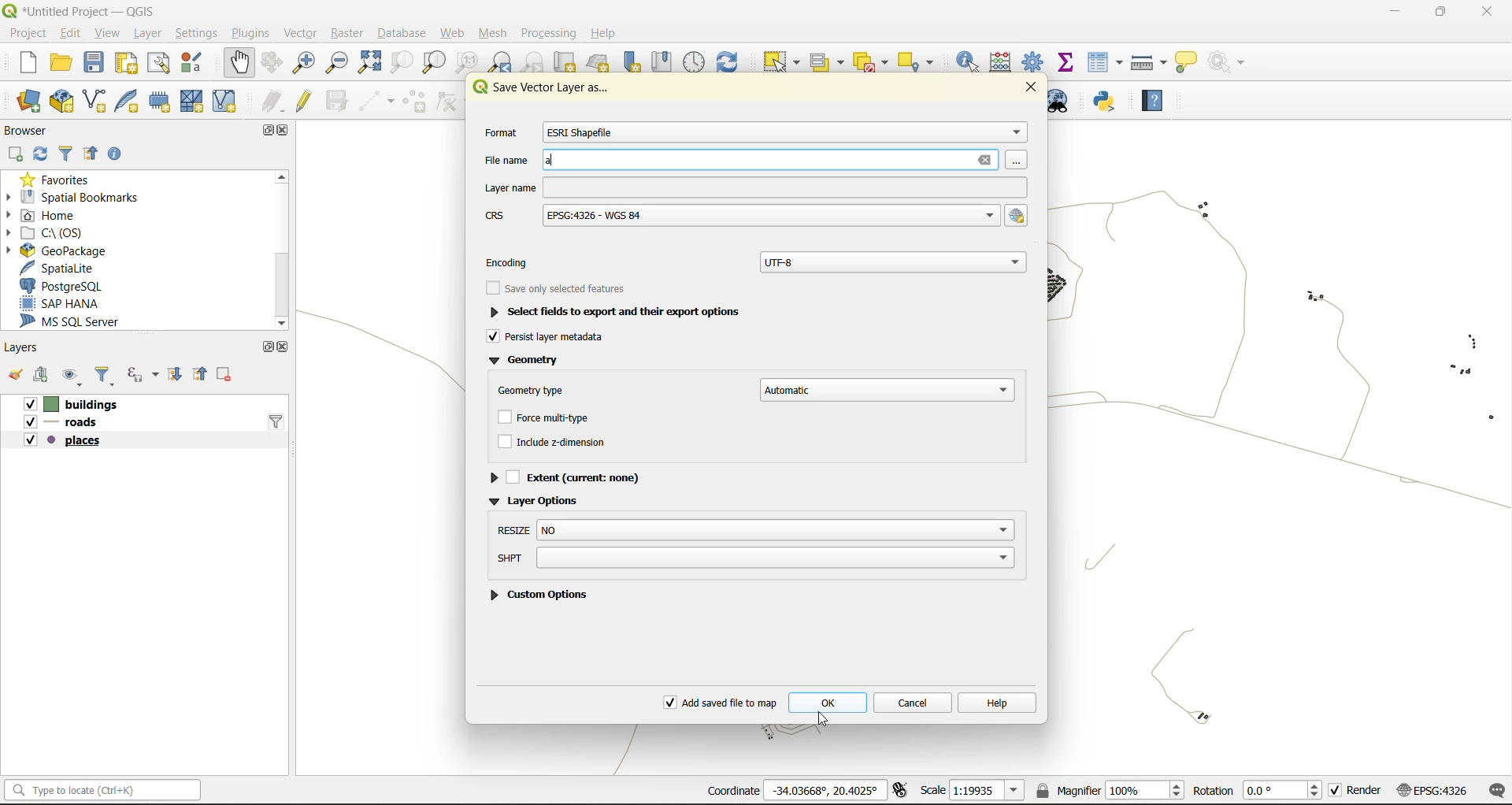 This screenshot has width=1512, height=805. Describe the element at coordinates (416, 102) in the screenshot. I see `add polygon` at that location.